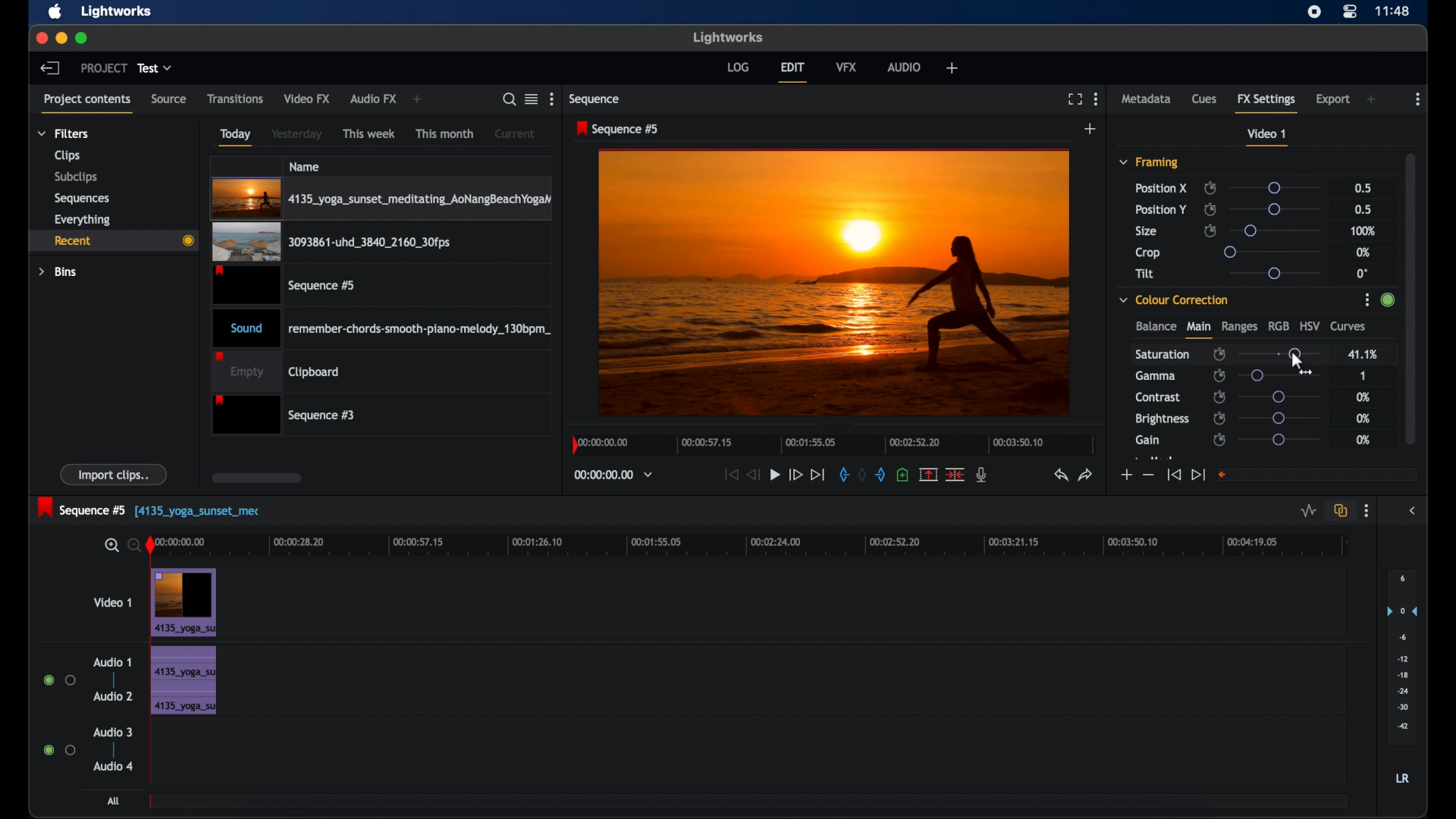 The width and height of the screenshot is (1456, 819). What do you see at coordinates (182, 680) in the screenshot?
I see `audio ` at bounding box center [182, 680].